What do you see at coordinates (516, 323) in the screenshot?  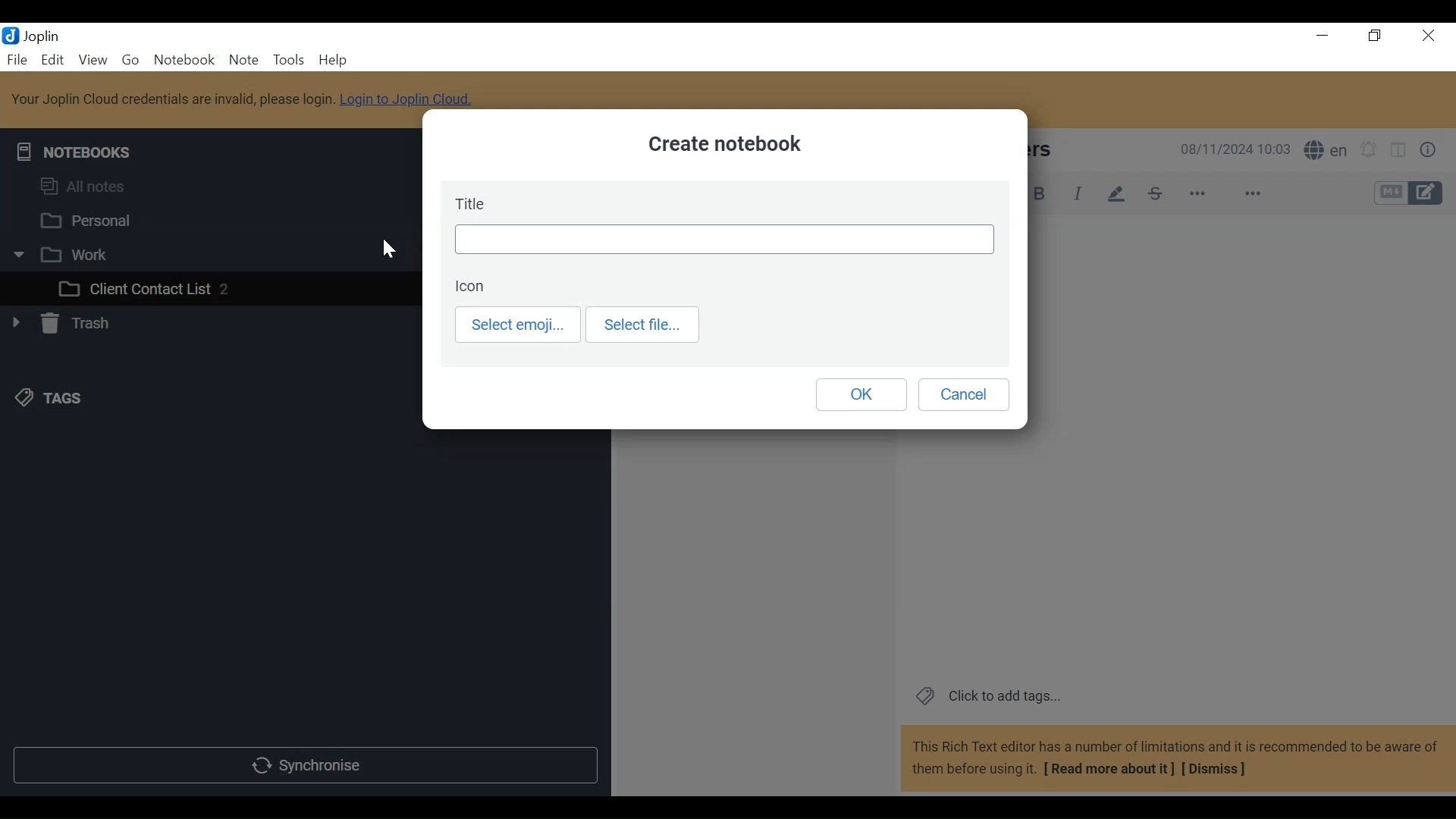 I see `Select emoji` at bounding box center [516, 323].